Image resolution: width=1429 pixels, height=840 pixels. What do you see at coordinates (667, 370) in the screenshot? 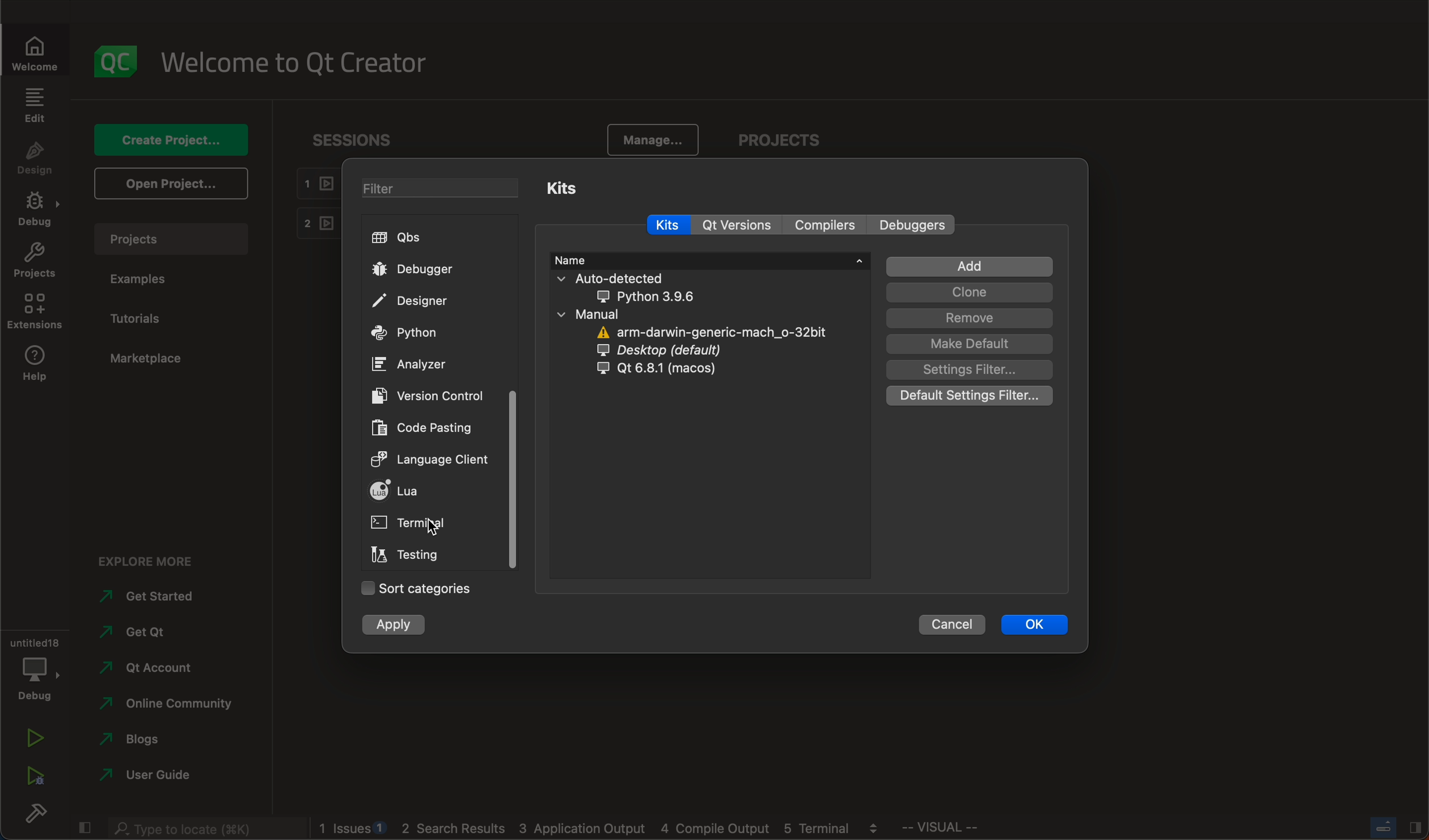
I see `qt` at bounding box center [667, 370].